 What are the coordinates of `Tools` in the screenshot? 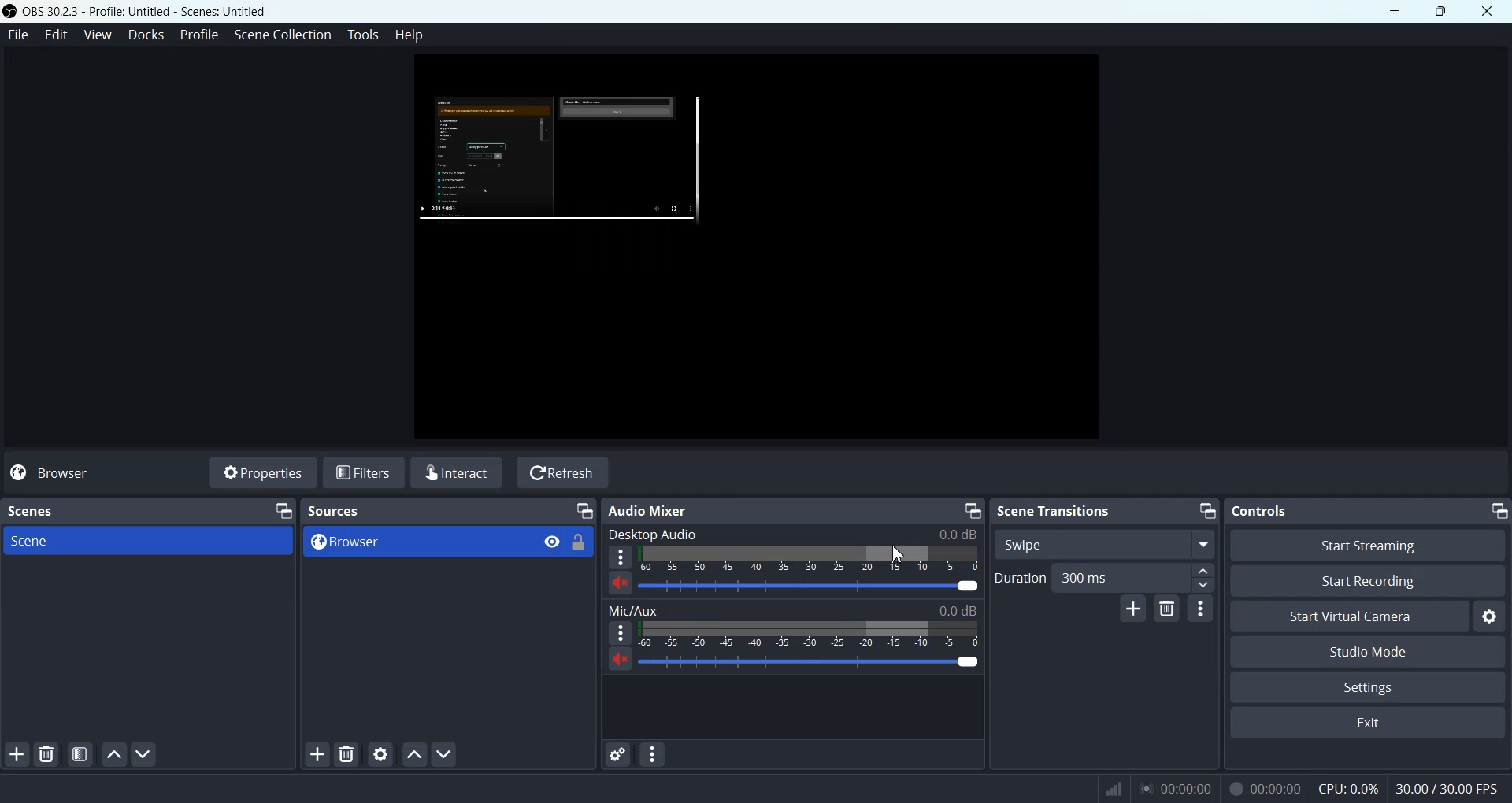 It's located at (363, 34).